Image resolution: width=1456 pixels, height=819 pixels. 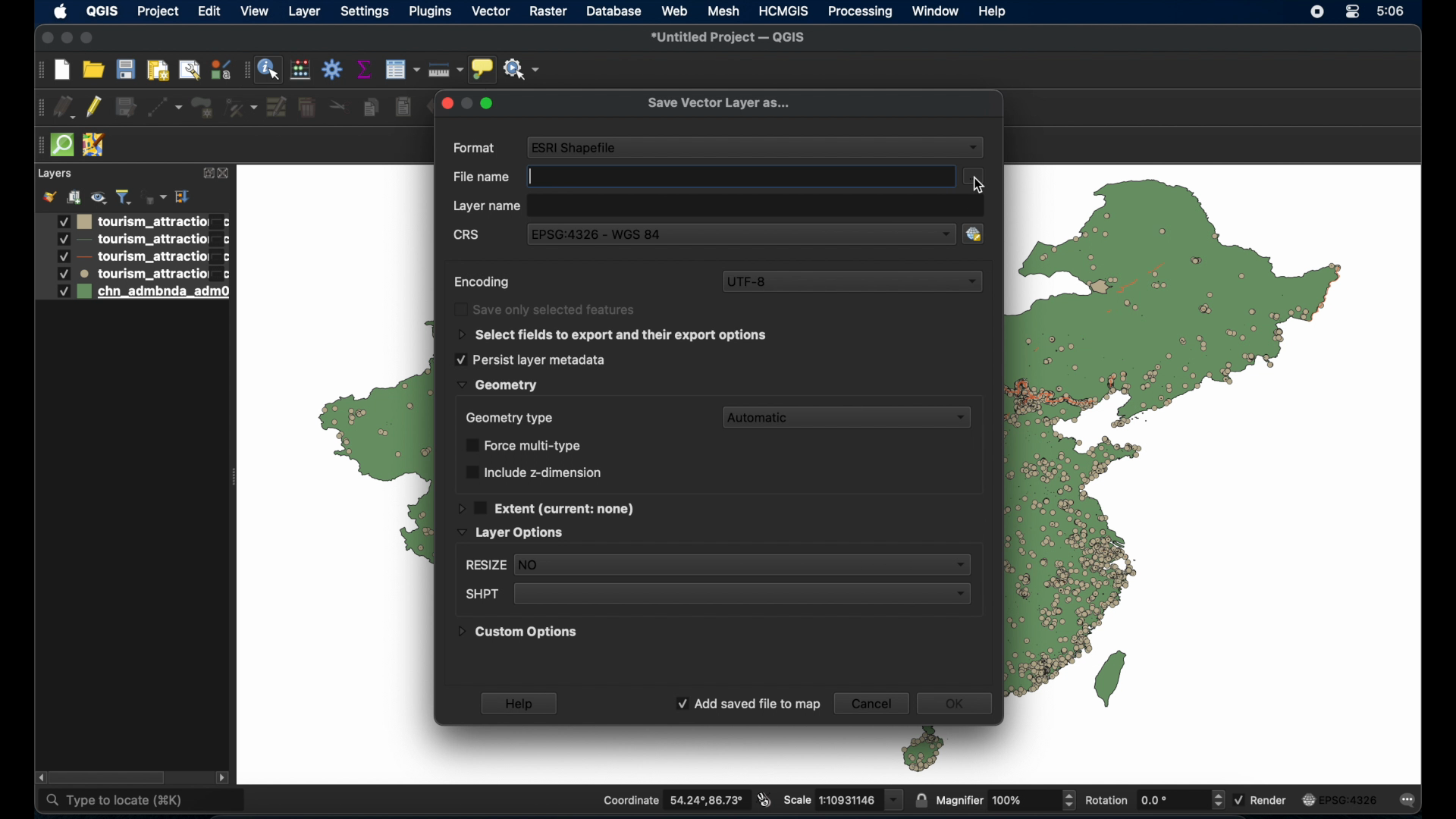 I want to click on mesh, so click(x=723, y=11).